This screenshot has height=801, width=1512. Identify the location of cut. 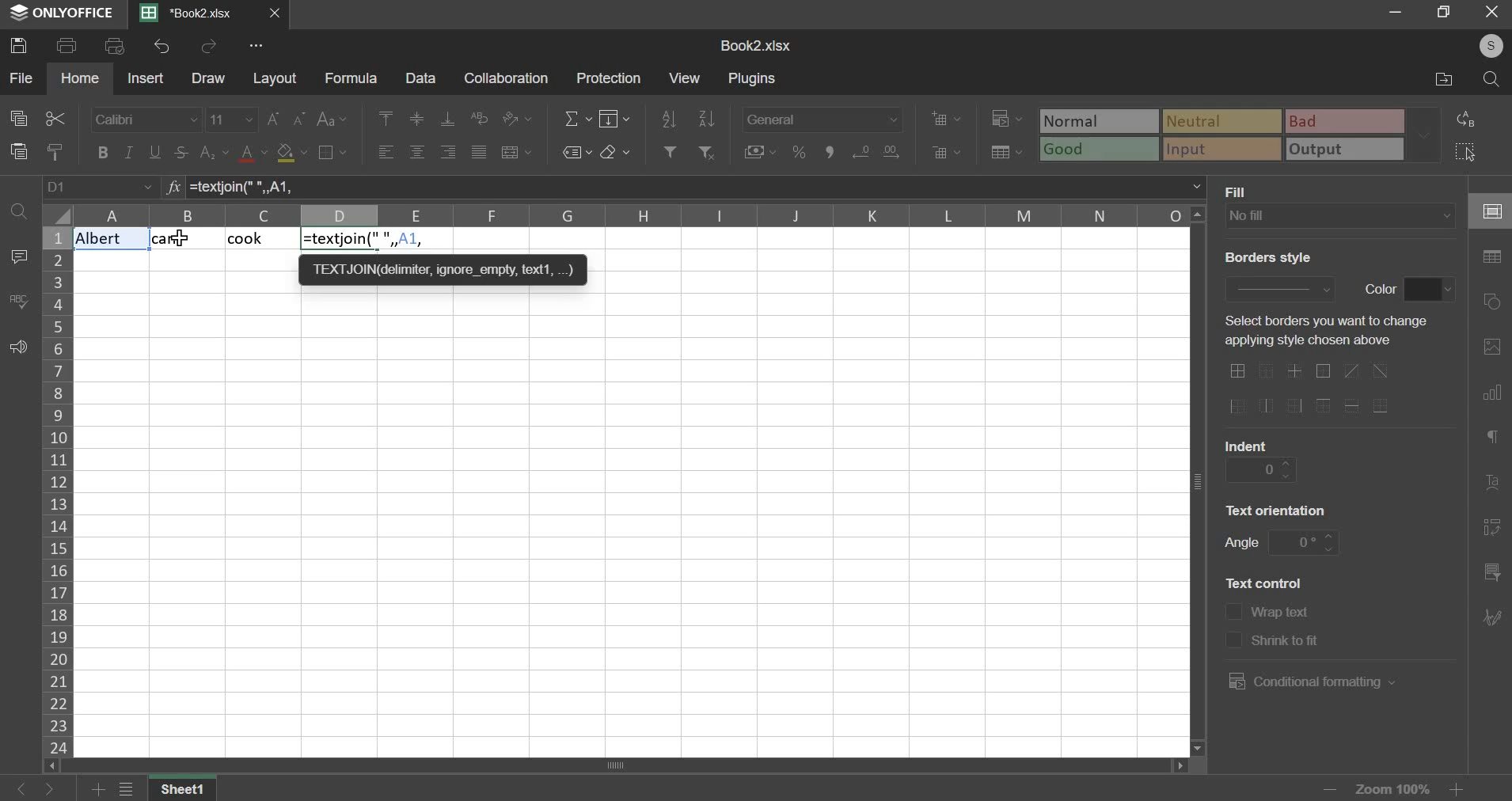
(54, 119).